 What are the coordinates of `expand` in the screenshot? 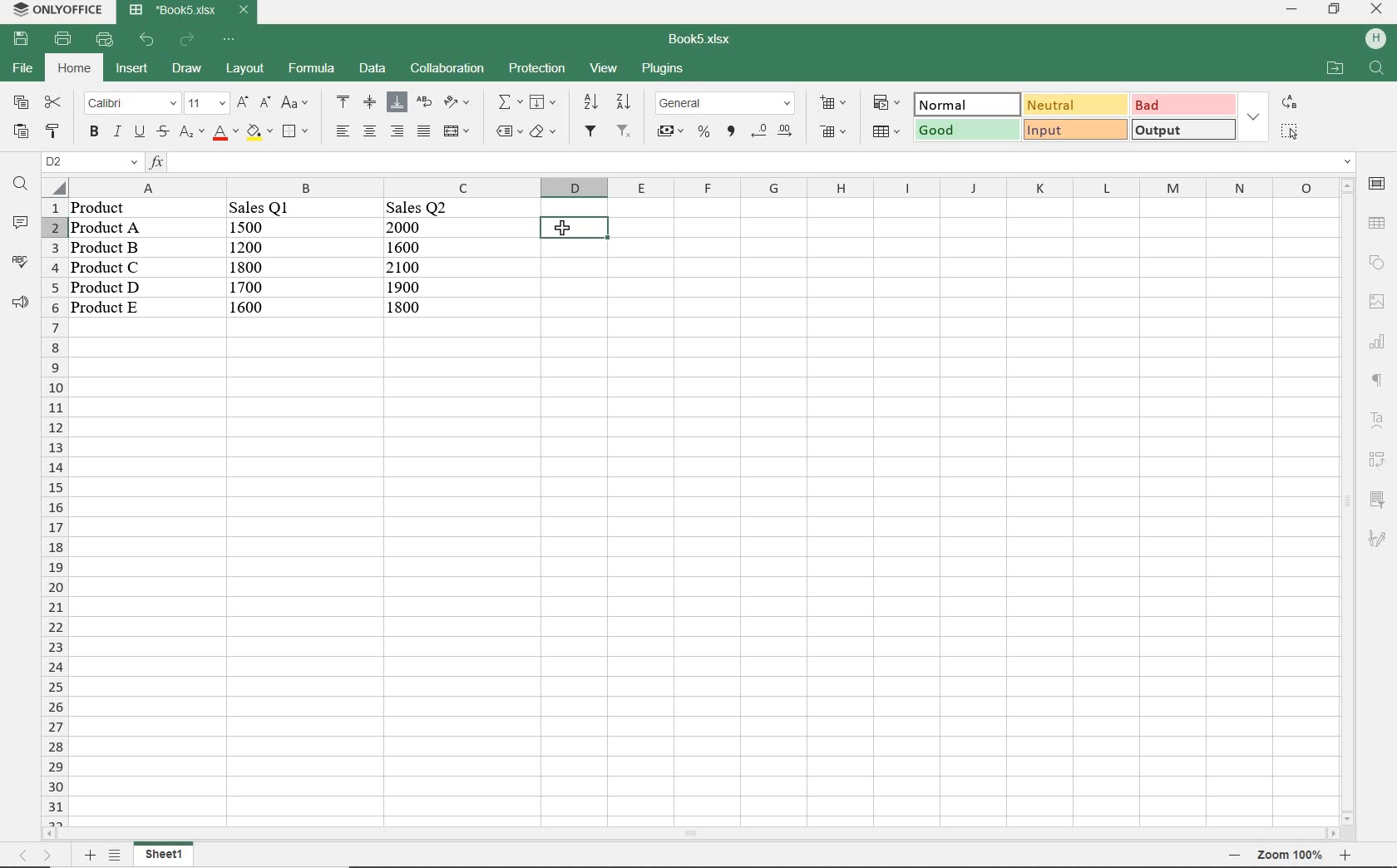 It's located at (1255, 116).